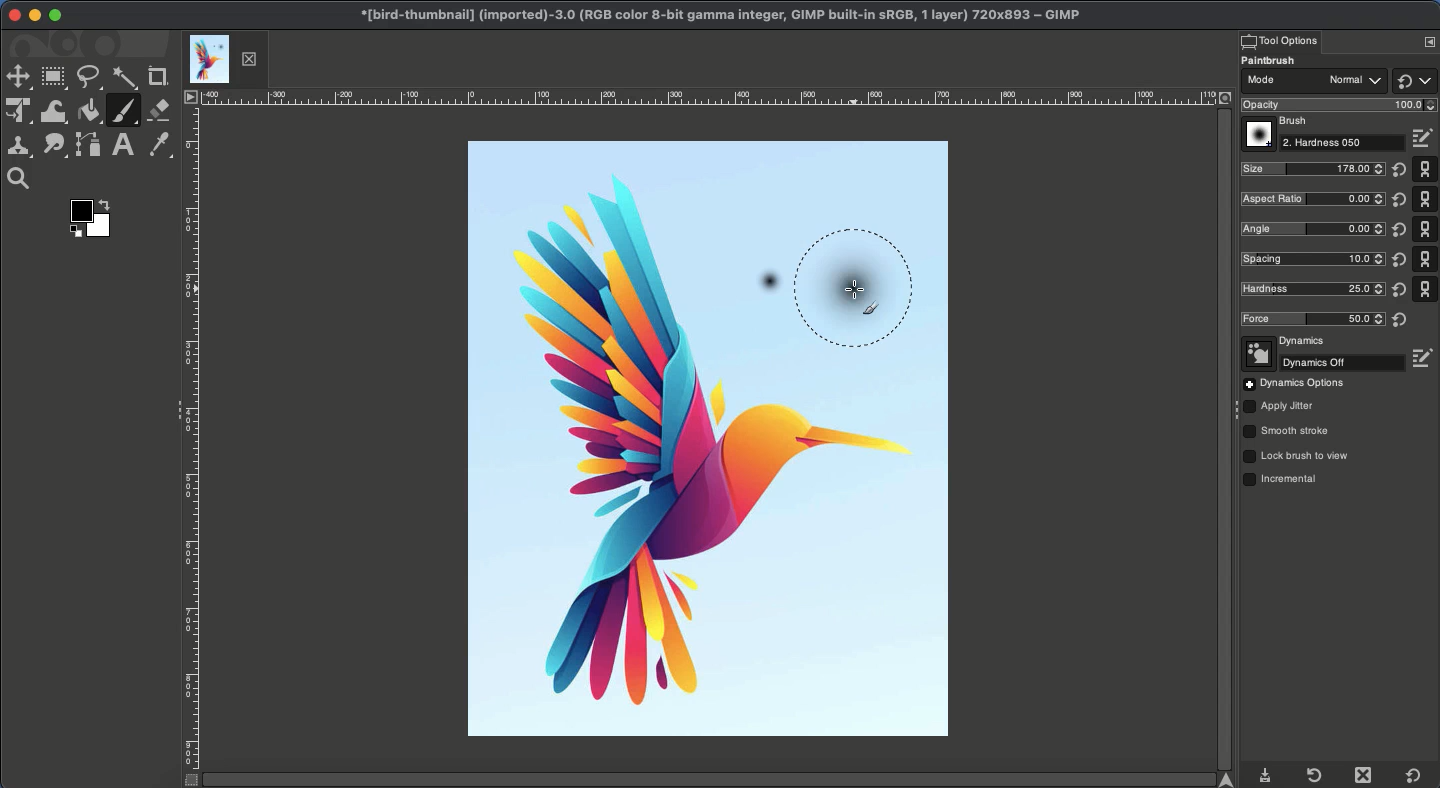 Image resolution: width=1440 pixels, height=788 pixels. Describe the element at coordinates (125, 79) in the screenshot. I see `Fuzzy selector` at that location.